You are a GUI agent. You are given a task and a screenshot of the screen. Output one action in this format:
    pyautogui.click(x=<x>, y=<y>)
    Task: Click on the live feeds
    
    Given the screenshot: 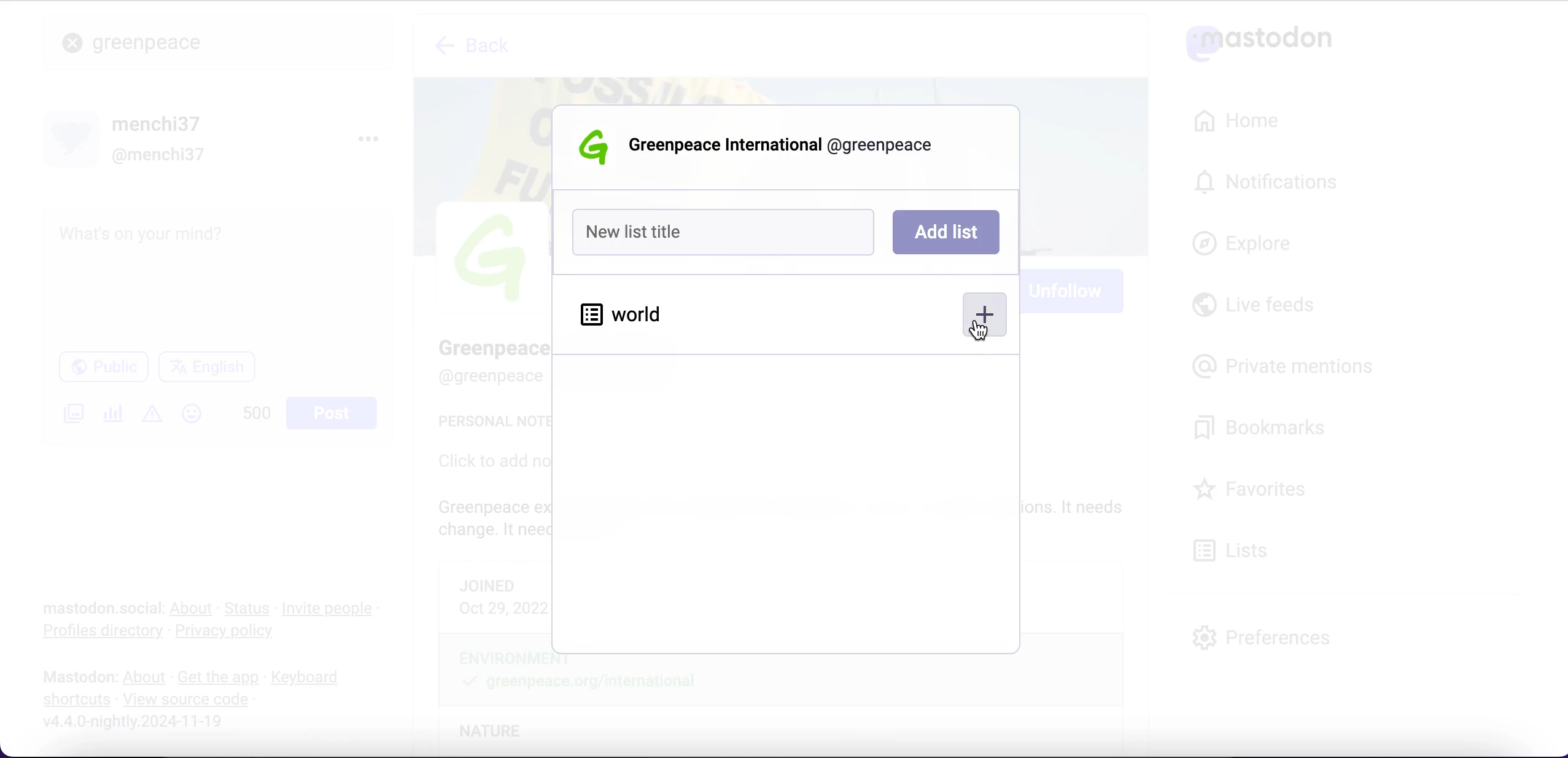 What is the action you would take?
    pyautogui.click(x=1254, y=309)
    